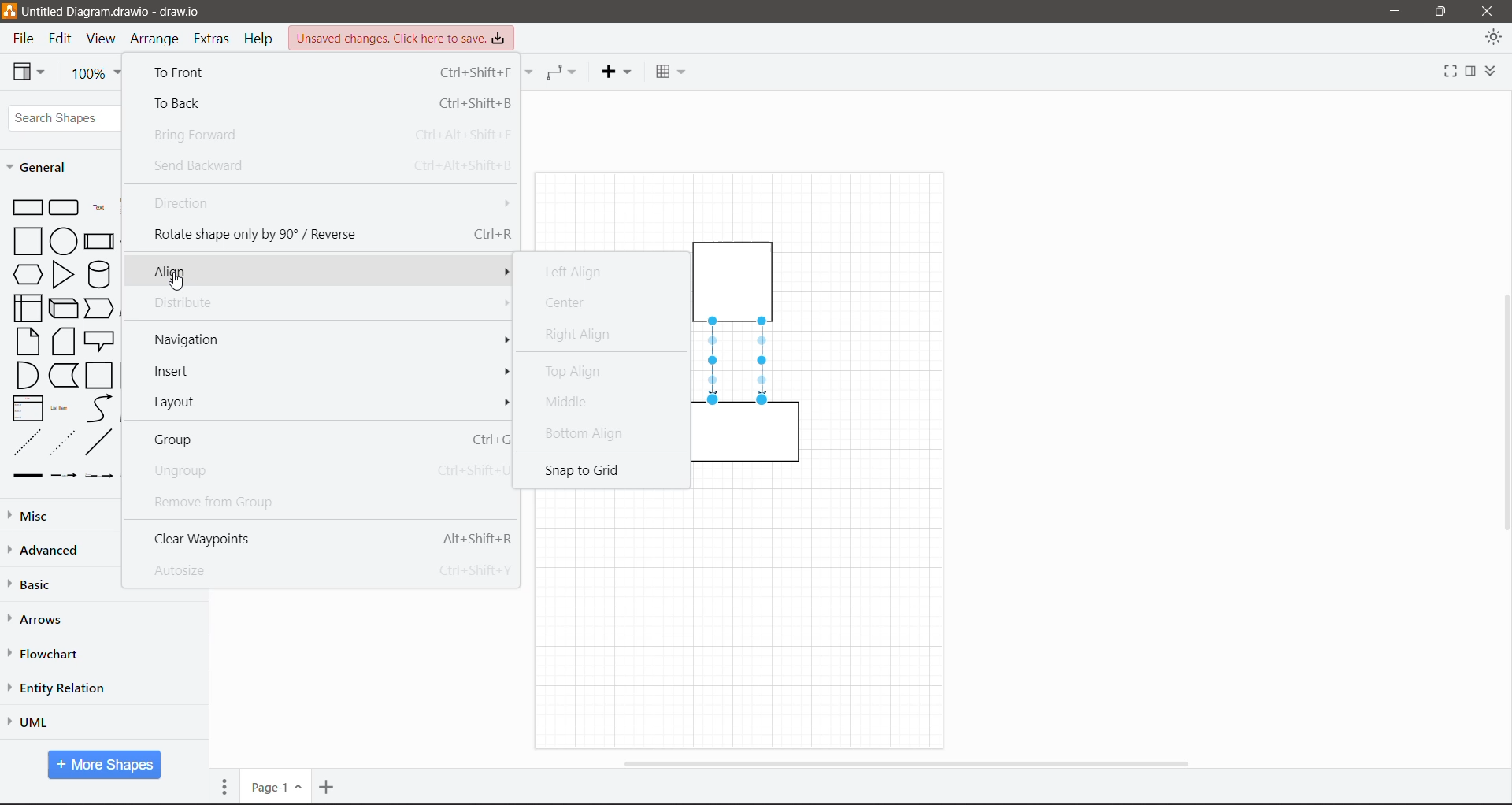  What do you see at coordinates (326, 472) in the screenshot?
I see `Ungroup` at bounding box center [326, 472].